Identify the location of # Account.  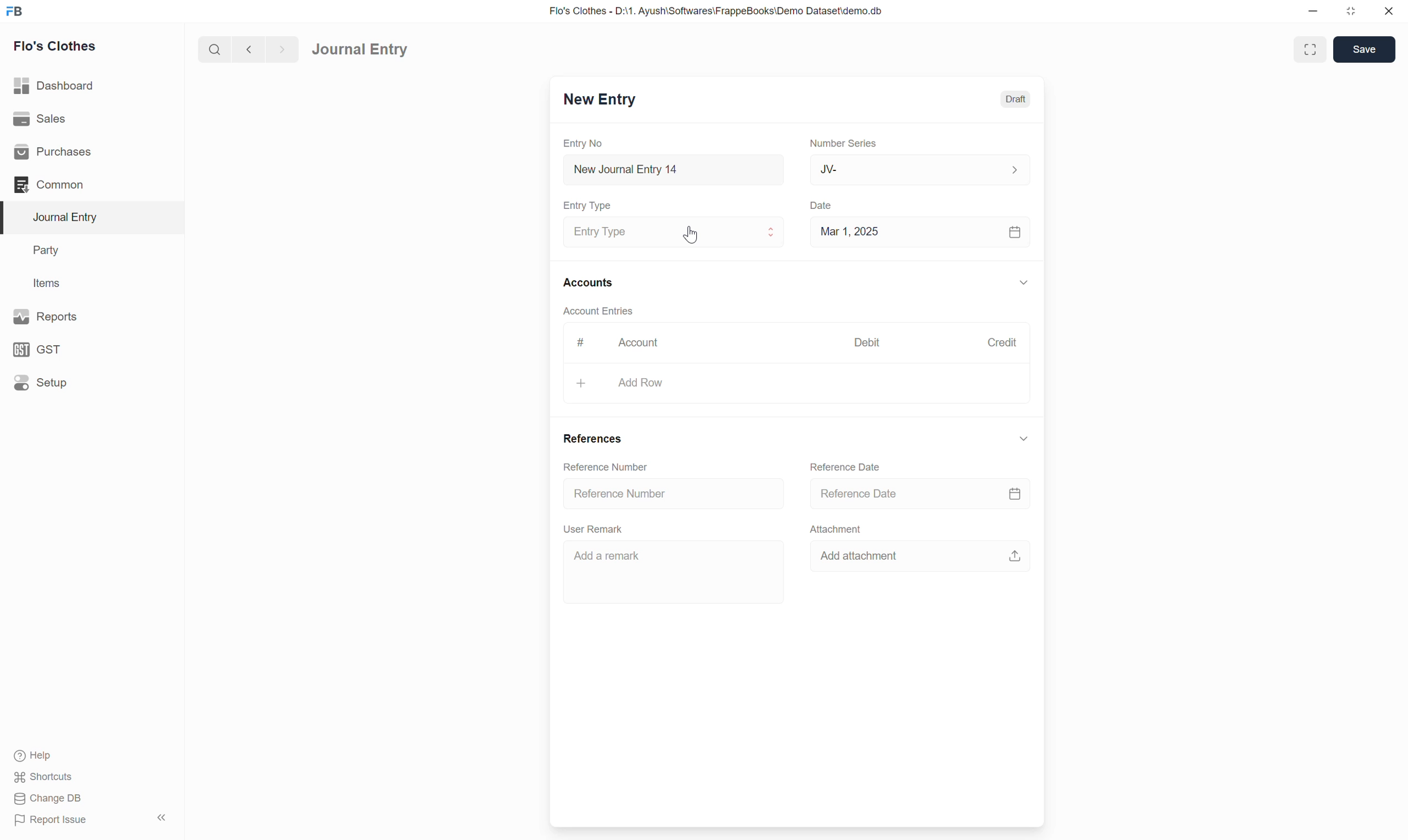
(649, 341).